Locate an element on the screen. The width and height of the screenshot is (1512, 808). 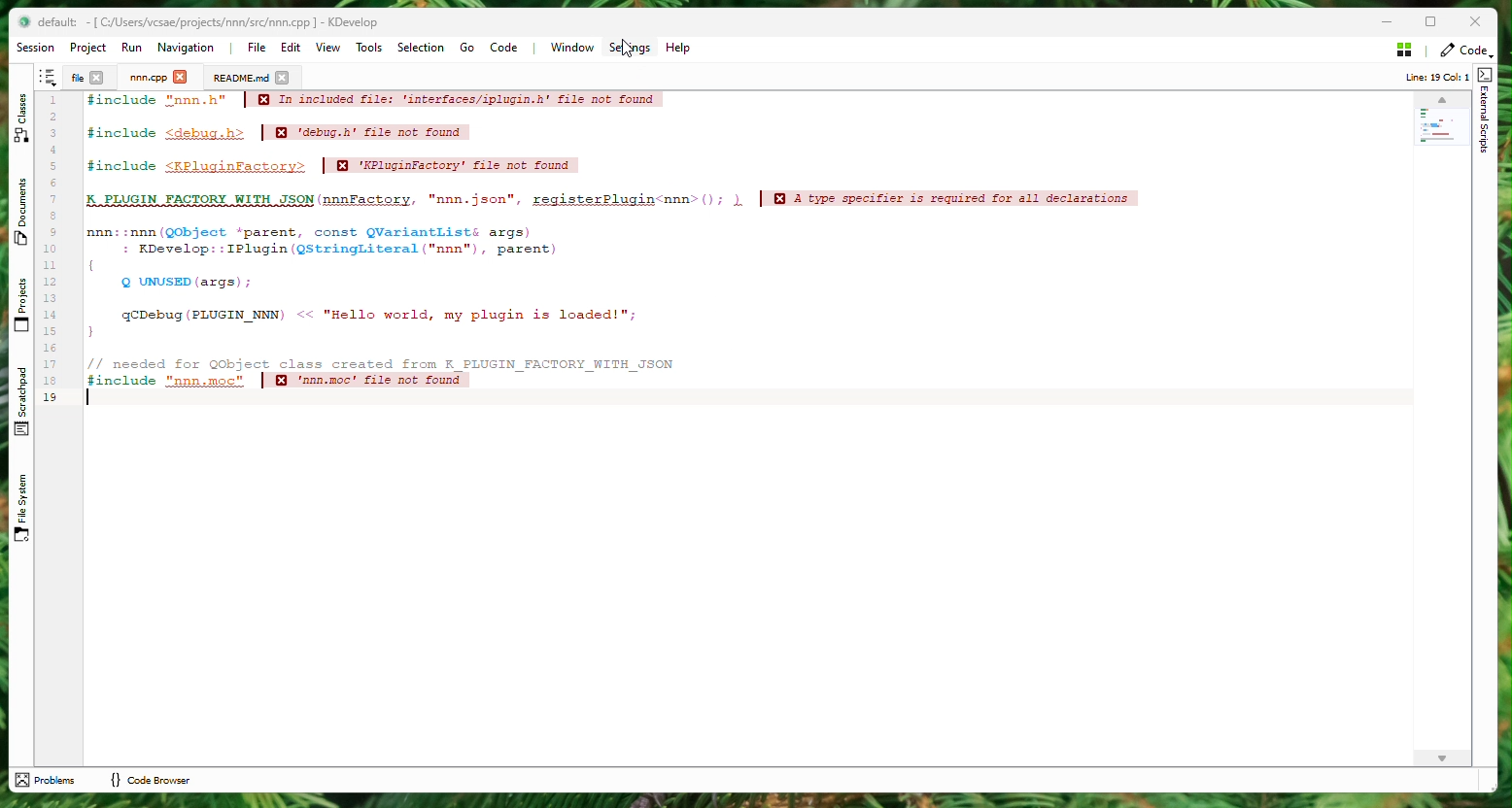
Scratchpad is located at coordinates (23, 400).